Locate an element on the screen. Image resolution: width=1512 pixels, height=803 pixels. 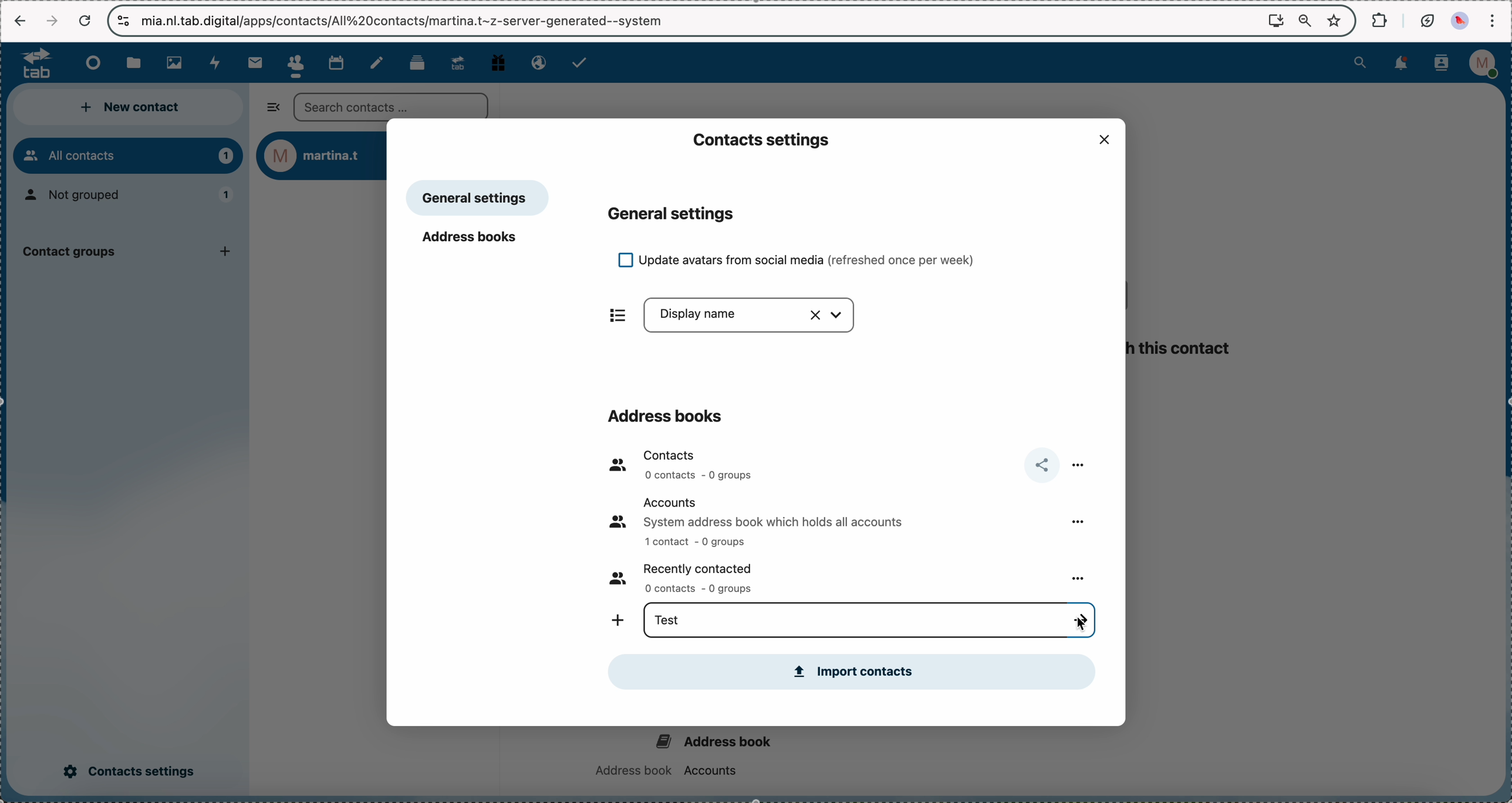
dashboard is located at coordinates (88, 63).